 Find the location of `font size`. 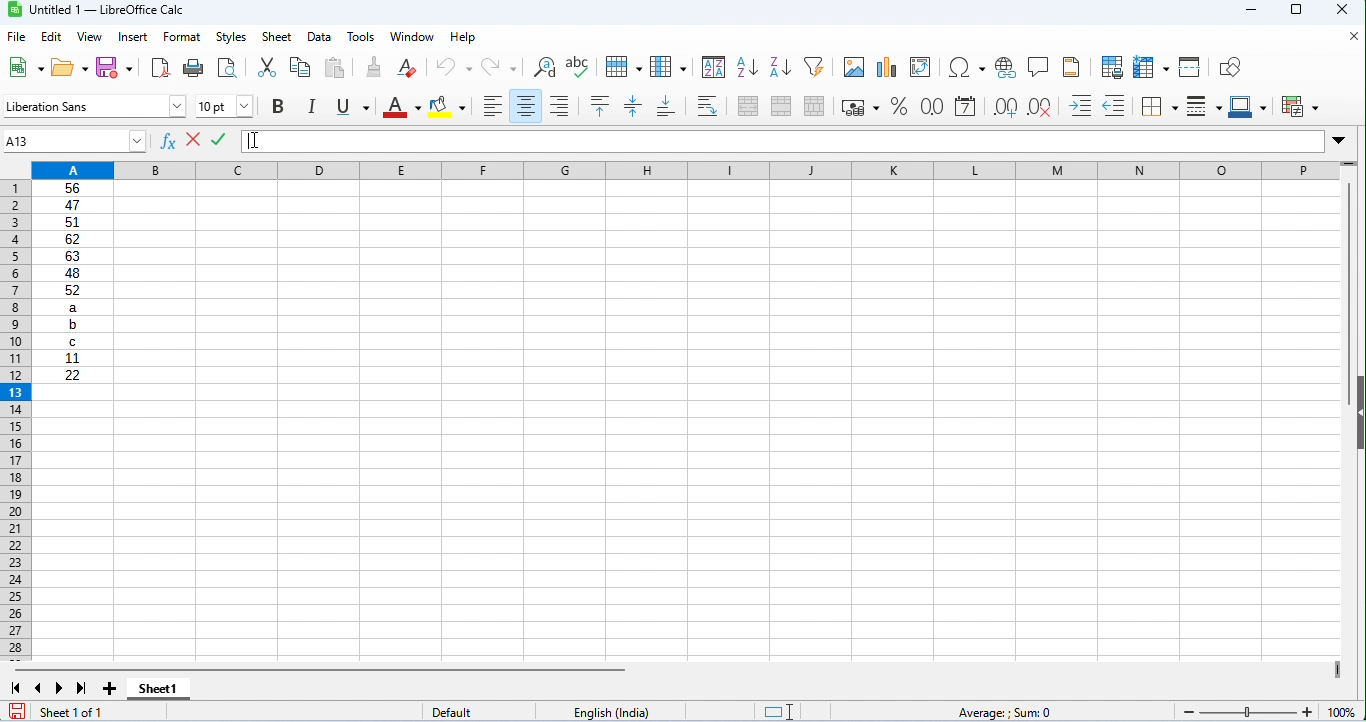

font size is located at coordinates (225, 106).